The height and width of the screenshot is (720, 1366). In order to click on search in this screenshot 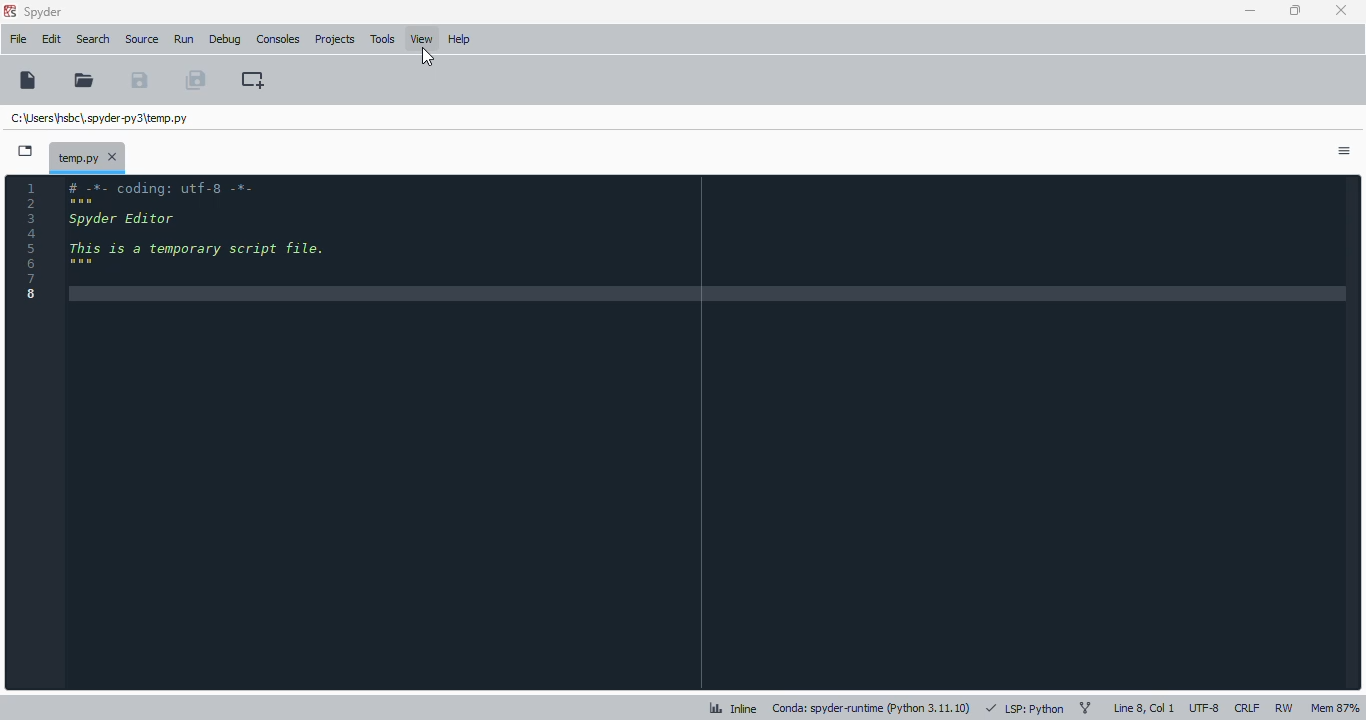, I will do `click(92, 40)`.